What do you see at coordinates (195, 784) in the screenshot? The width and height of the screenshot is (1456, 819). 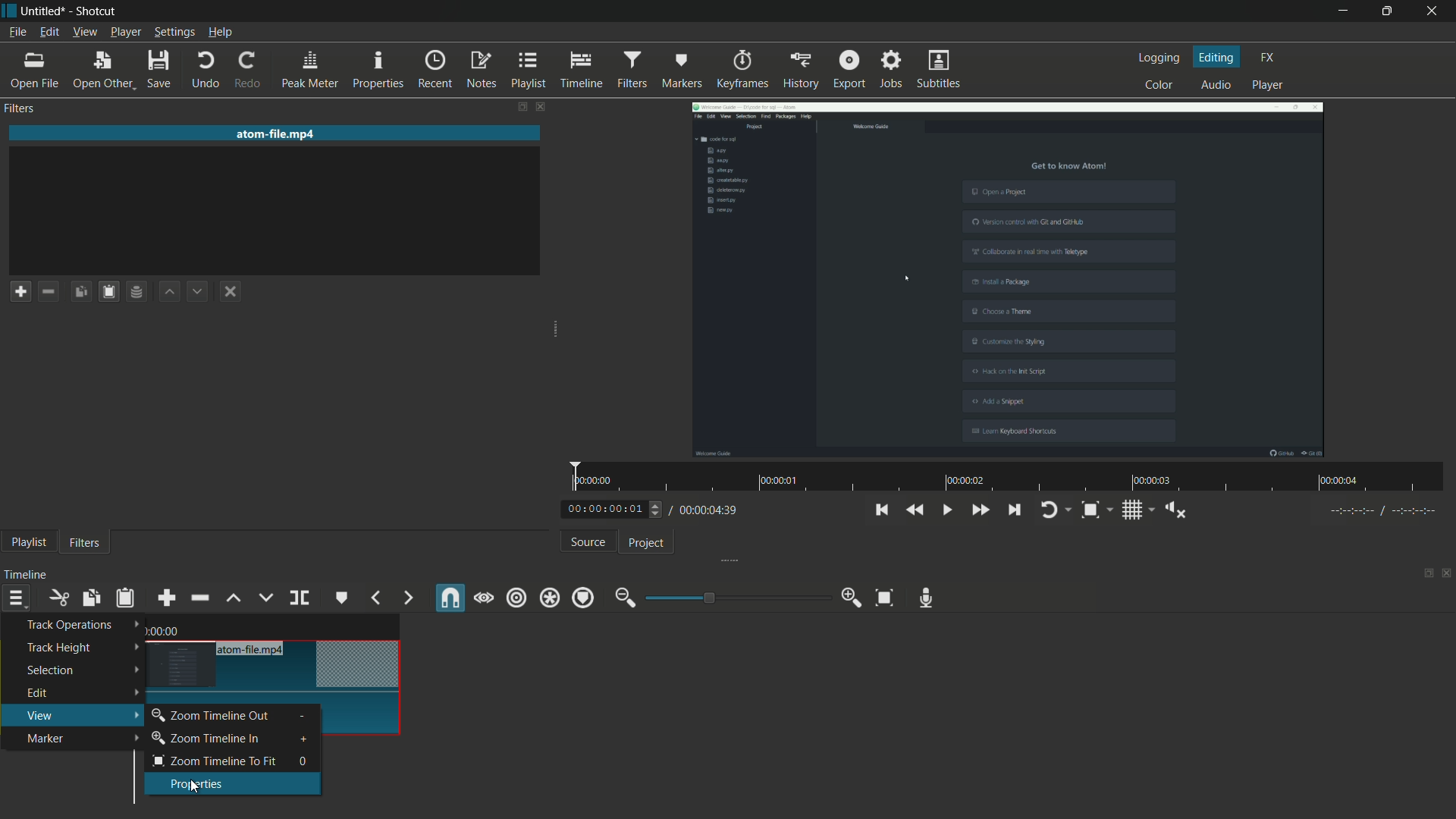 I see `properties` at bounding box center [195, 784].